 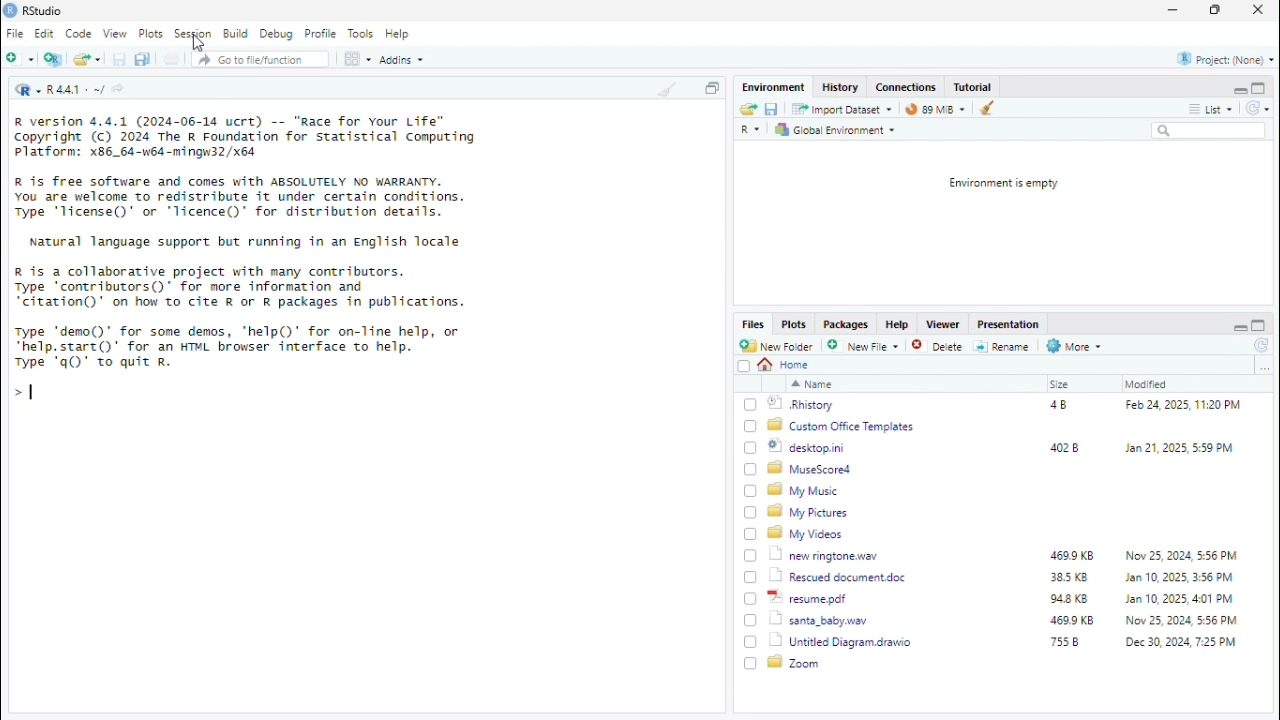 I want to click on Help, so click(x=899, y=325).